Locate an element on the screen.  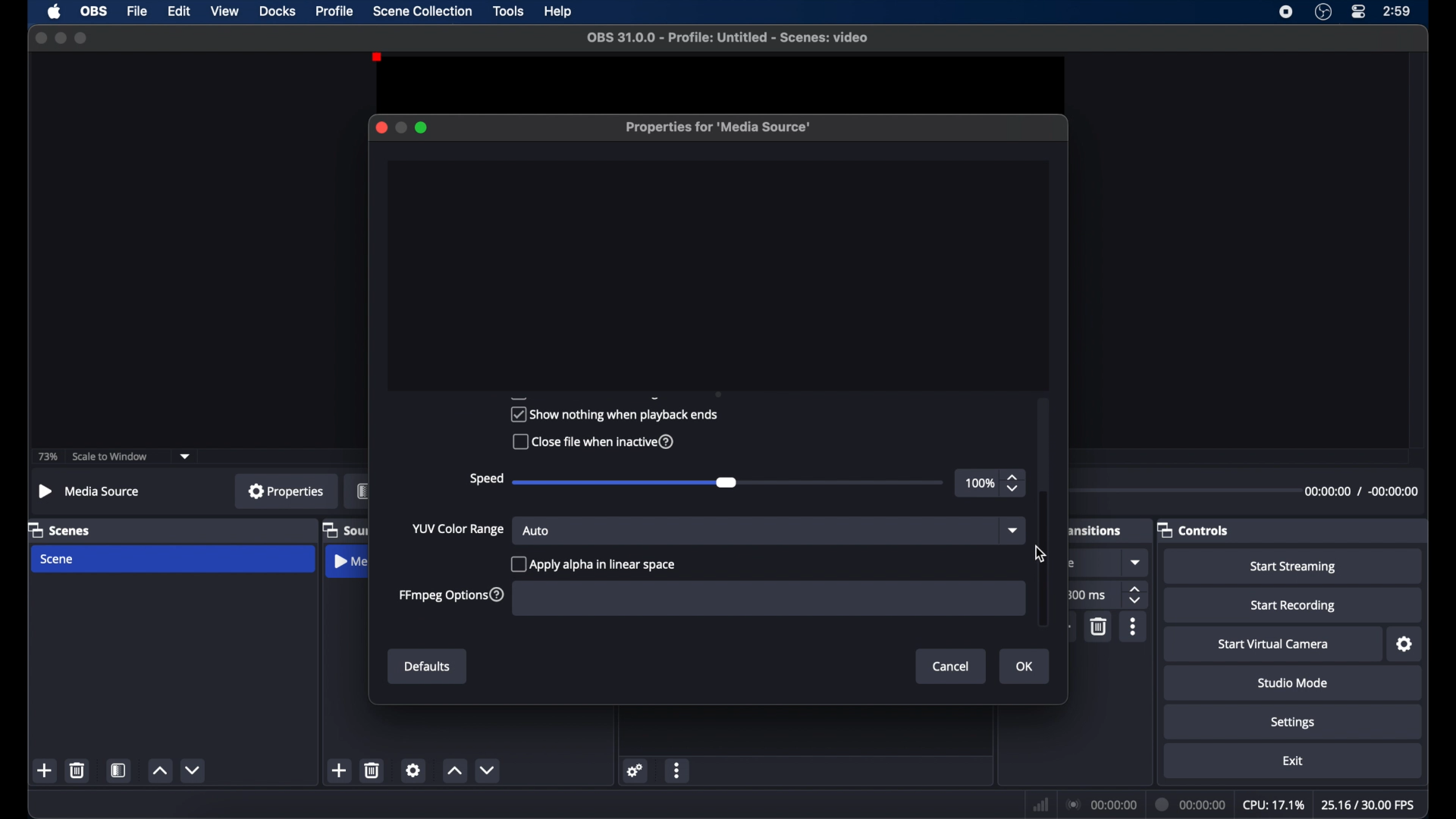
cursor is located at coordinates (1040, 554).